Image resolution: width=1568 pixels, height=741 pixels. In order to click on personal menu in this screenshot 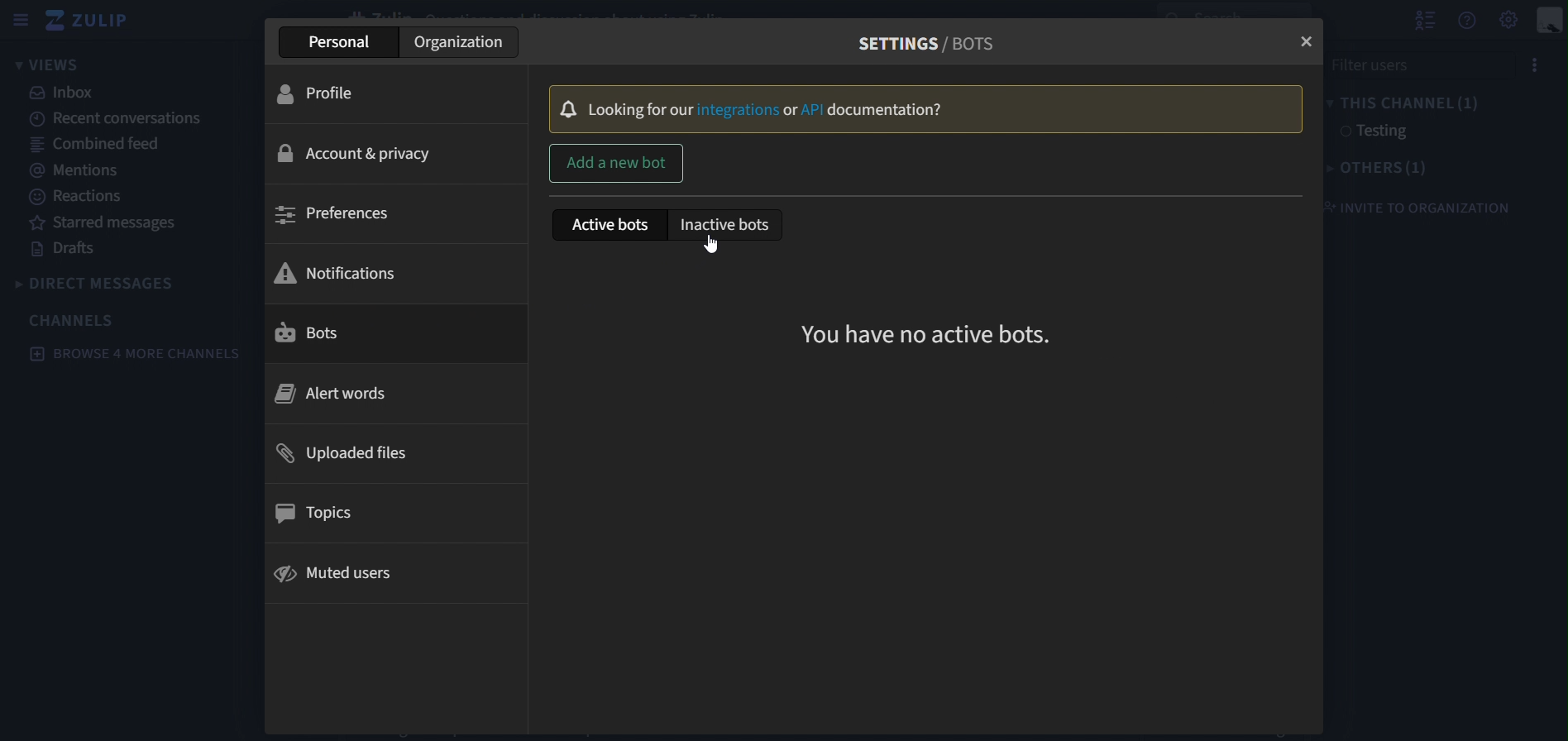, I will do `click(1551, 22)`.